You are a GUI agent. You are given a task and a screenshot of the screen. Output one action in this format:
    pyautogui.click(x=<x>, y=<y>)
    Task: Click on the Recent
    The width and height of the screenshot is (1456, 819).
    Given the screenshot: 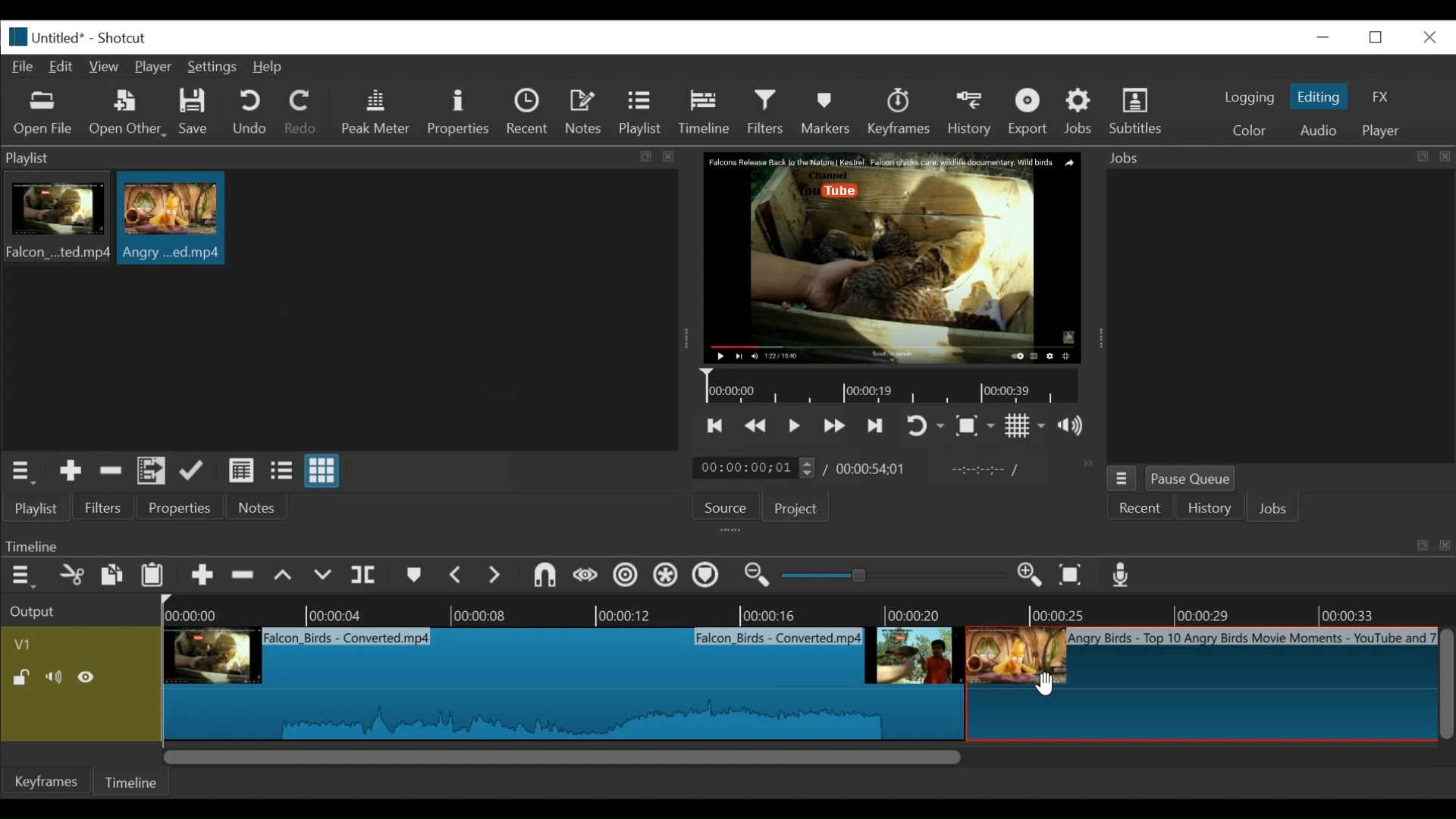 What is the action you would take?
    pyautogui.click(x=531, y=114)
    